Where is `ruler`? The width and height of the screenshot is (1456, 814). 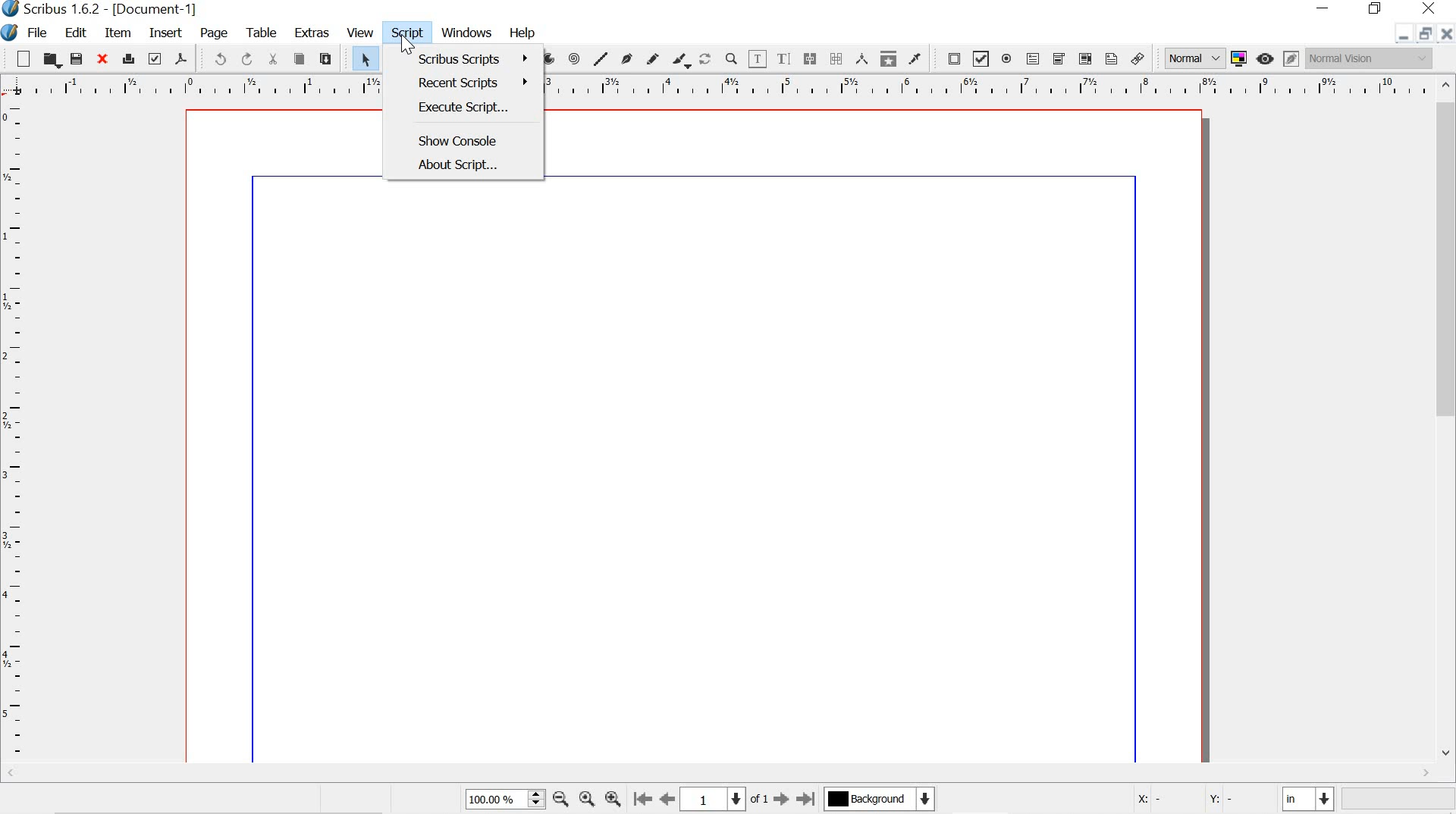
ruler is located at coordinates (990, 87).